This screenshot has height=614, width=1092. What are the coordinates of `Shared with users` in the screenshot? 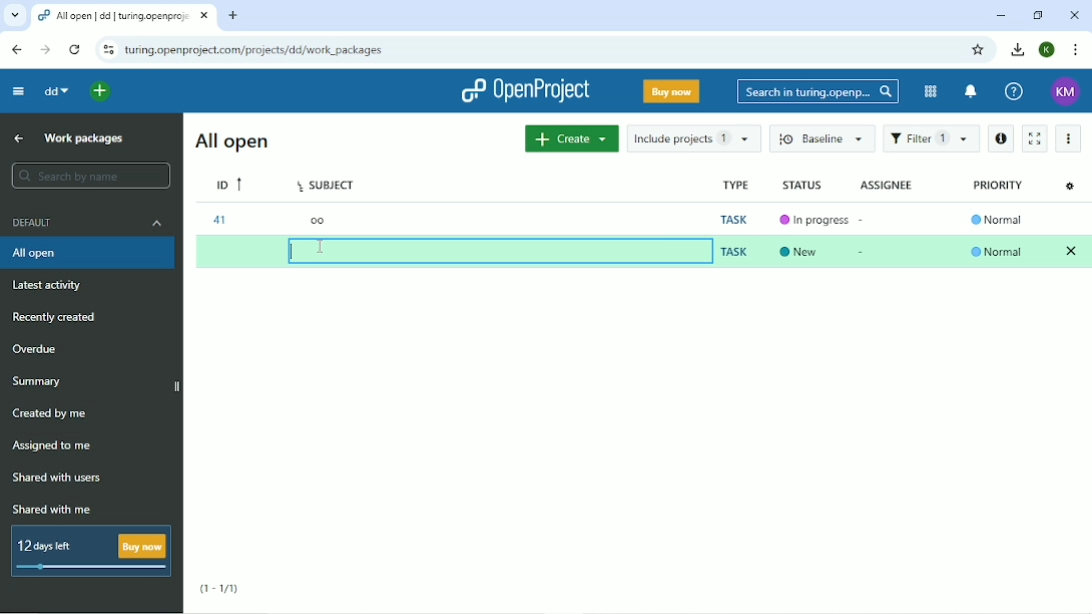 It's located at (58, 477).